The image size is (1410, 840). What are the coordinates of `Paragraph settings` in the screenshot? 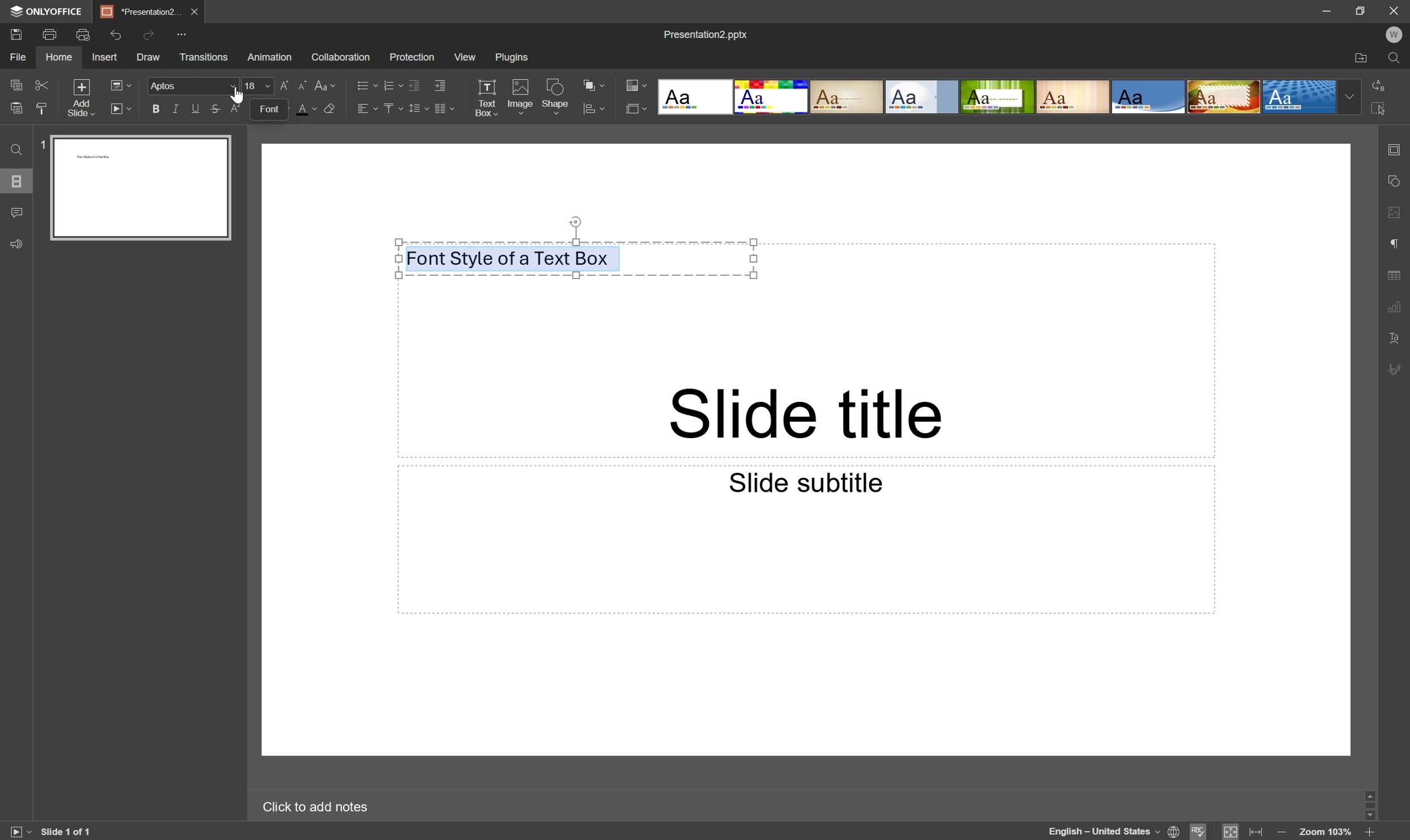 It's located at (1396, 244).